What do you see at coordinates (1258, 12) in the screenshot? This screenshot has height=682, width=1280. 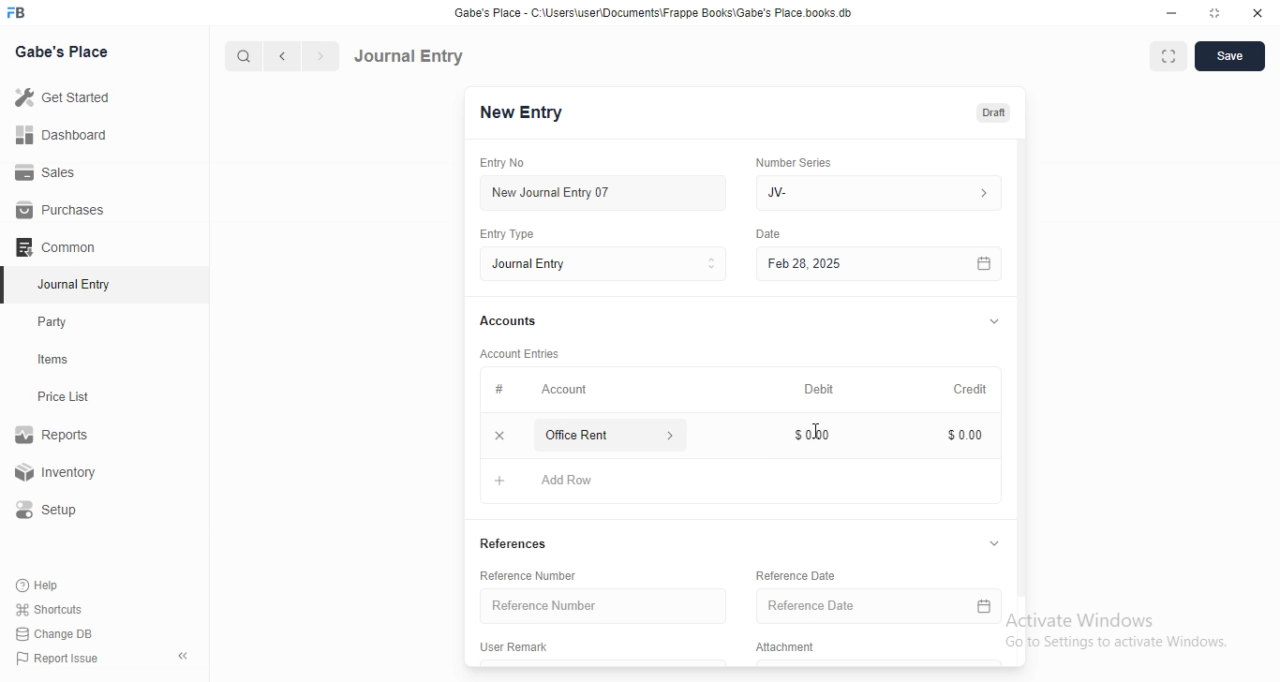 I see `close` at bounding box center [1258, 12].